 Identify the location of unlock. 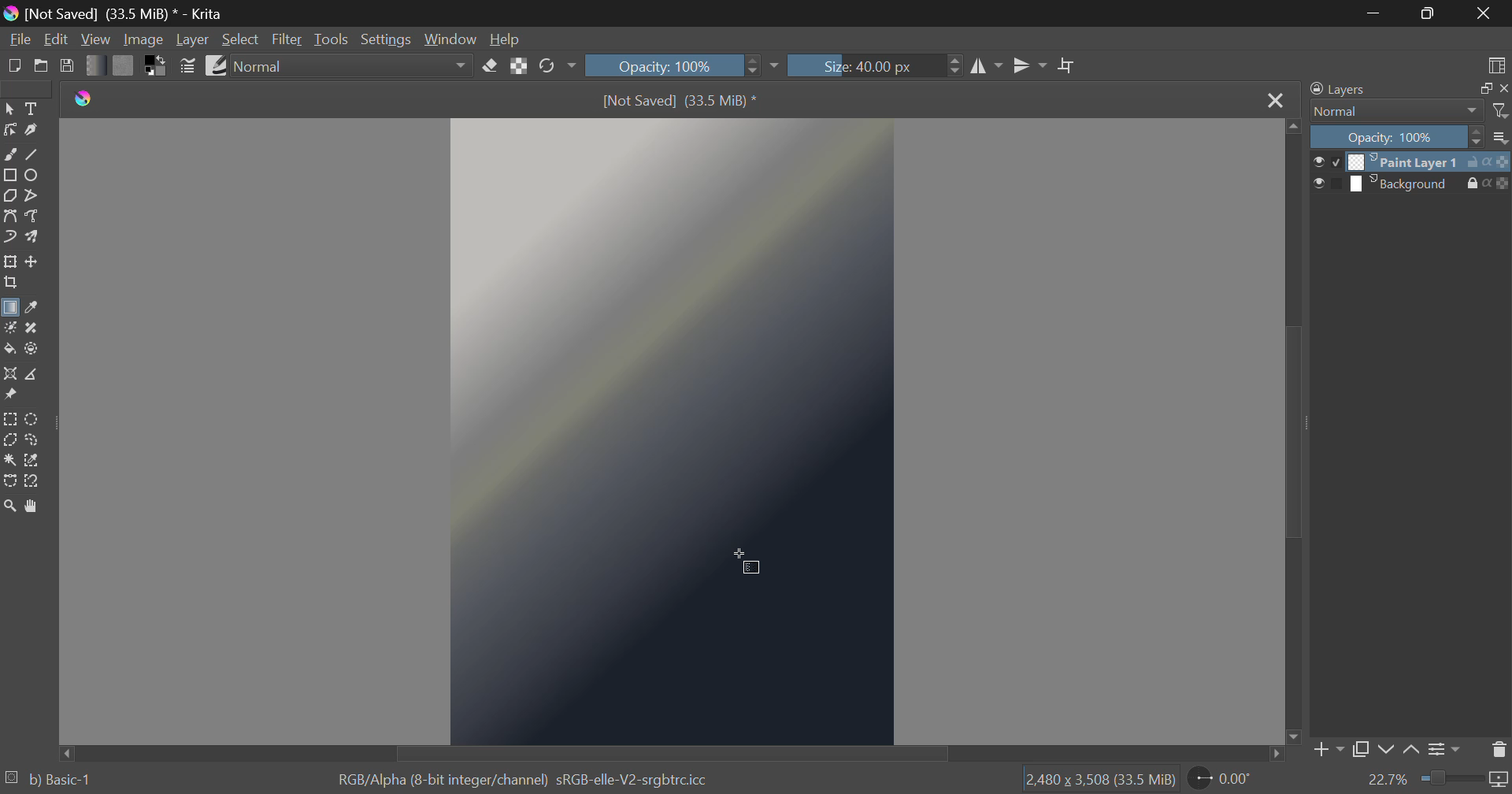
(1476, 161).